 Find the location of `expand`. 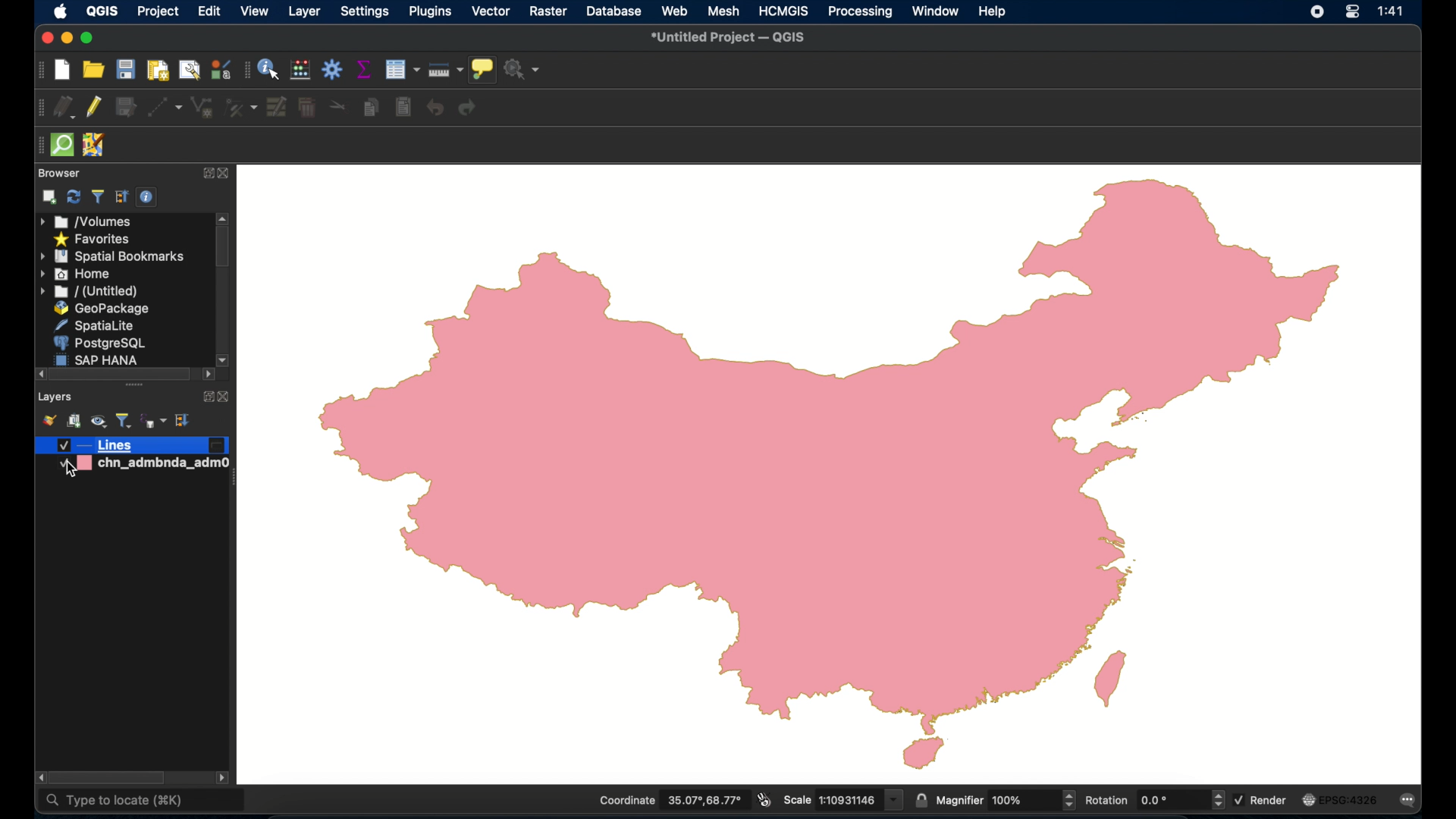

expand is located at coordinates (206, 397).